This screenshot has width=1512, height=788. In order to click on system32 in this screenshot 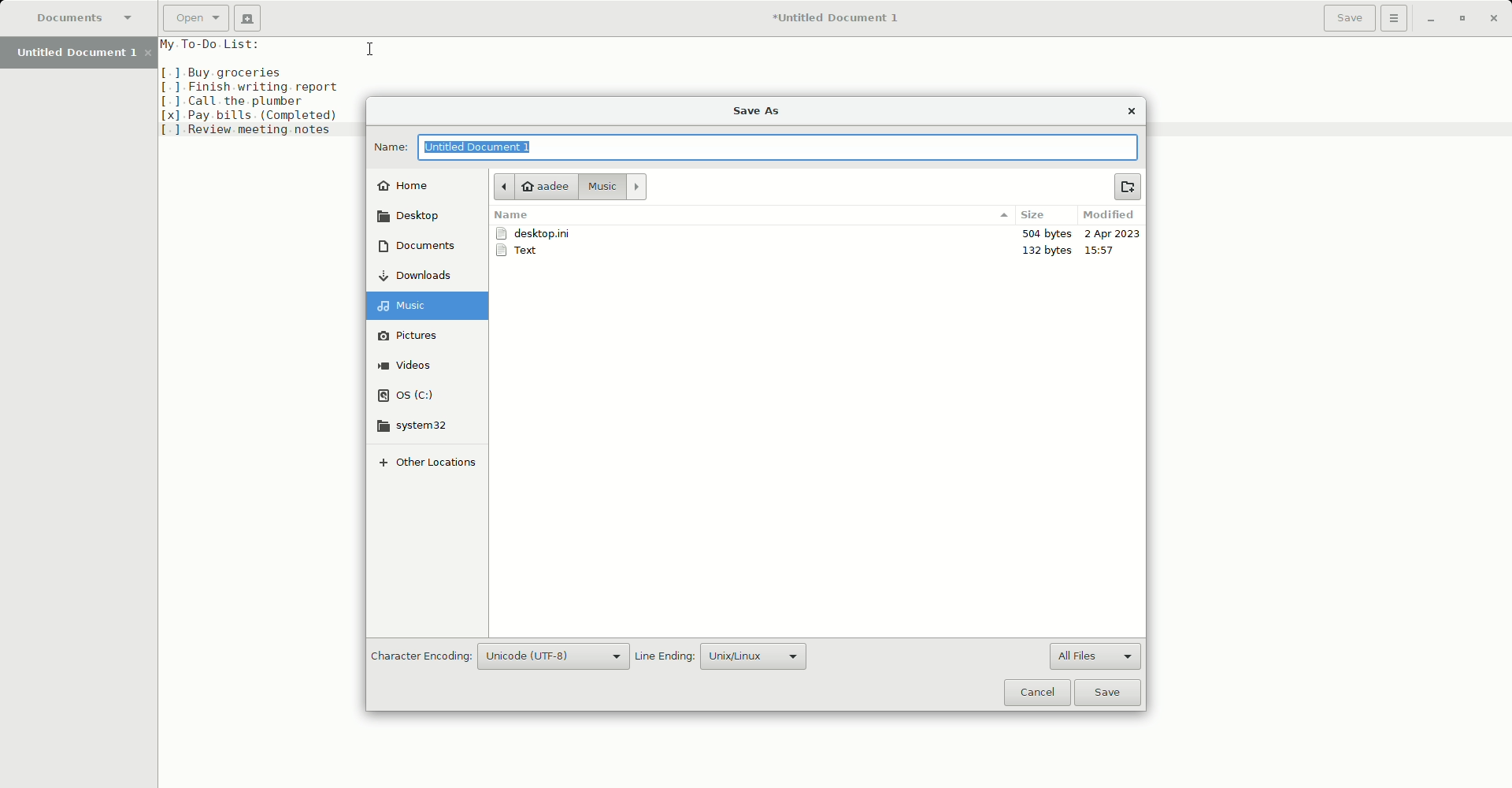, I will do `click(414, 426)`.